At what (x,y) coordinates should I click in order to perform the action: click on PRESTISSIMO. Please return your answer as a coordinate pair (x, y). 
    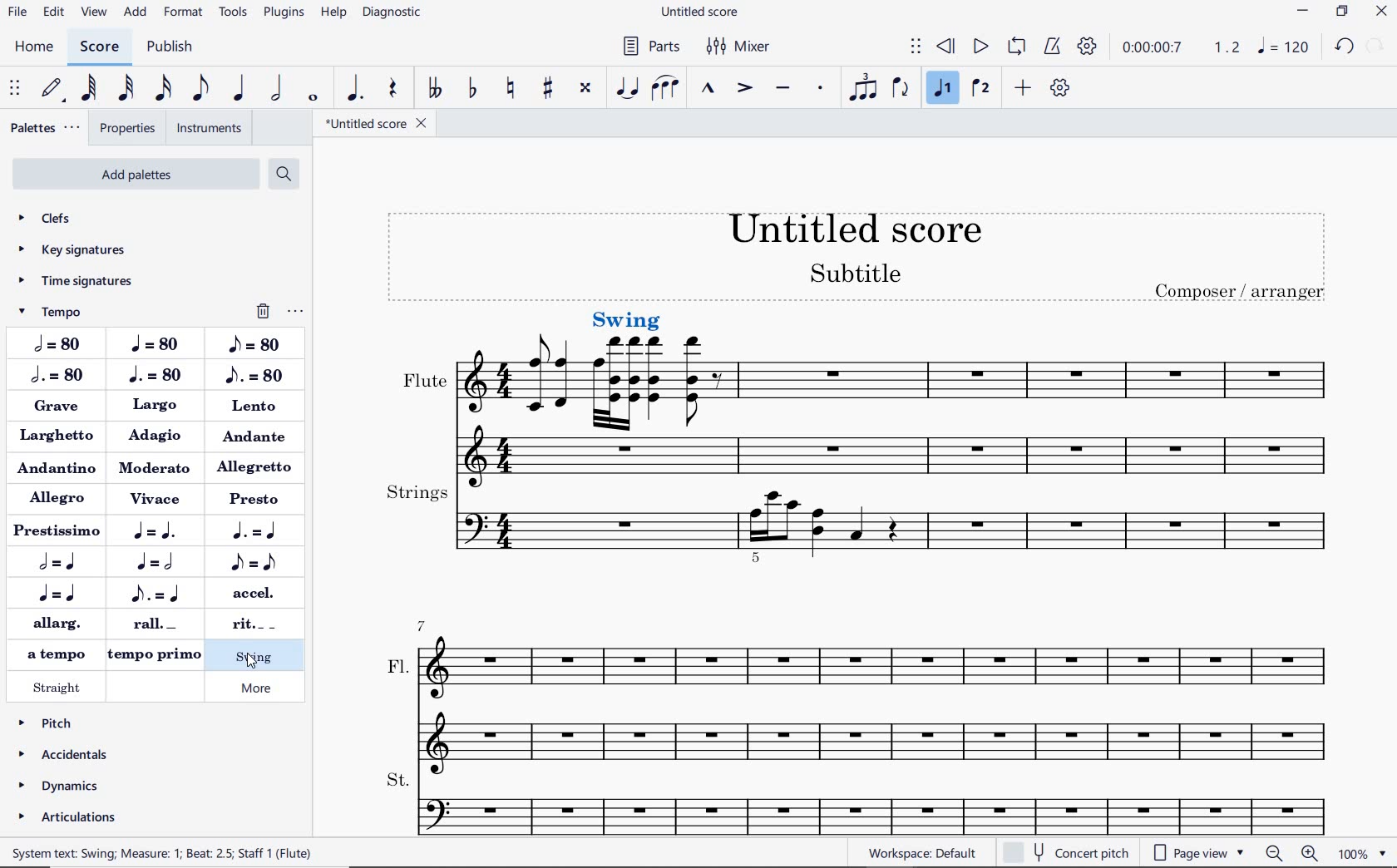
    Looking at the image, I should click on (56, 531).